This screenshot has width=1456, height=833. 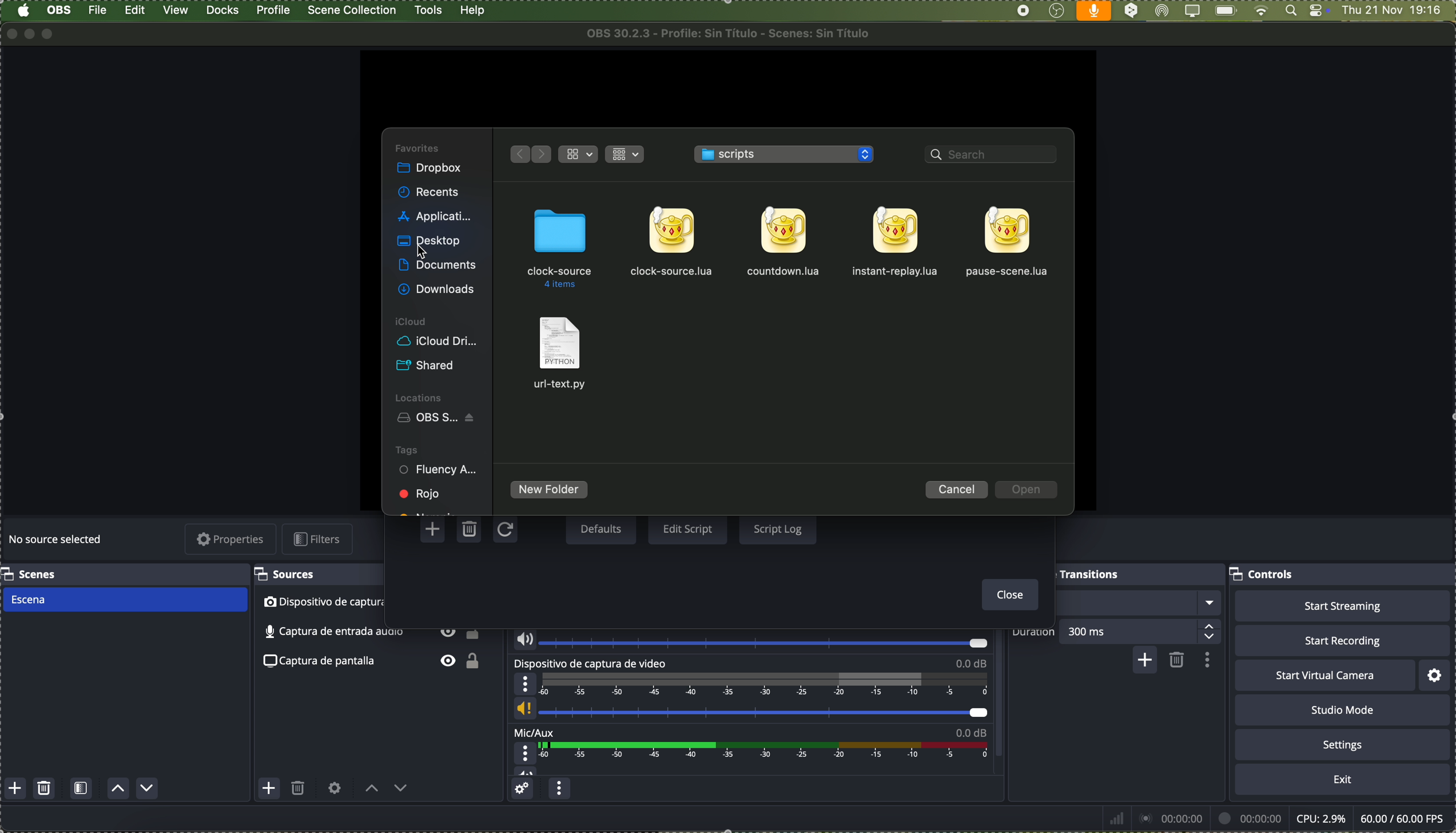 I want to click on start recording, so click(x=1342, y=640).